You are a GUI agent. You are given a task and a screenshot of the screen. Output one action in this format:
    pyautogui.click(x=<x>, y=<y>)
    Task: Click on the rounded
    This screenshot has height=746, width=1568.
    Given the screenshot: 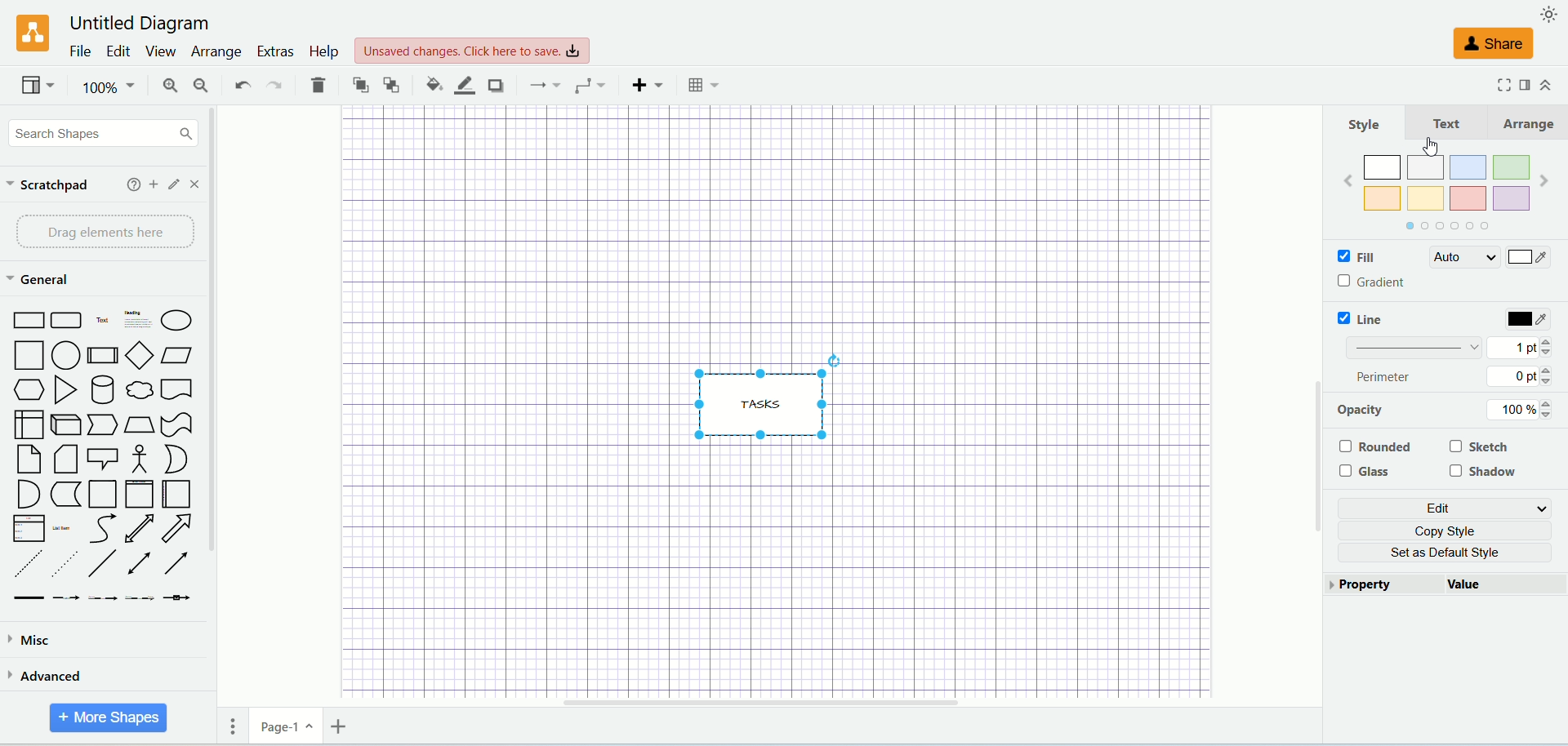 What is the action you would take?
    pyautogui.click(x=1374, y=447)
    